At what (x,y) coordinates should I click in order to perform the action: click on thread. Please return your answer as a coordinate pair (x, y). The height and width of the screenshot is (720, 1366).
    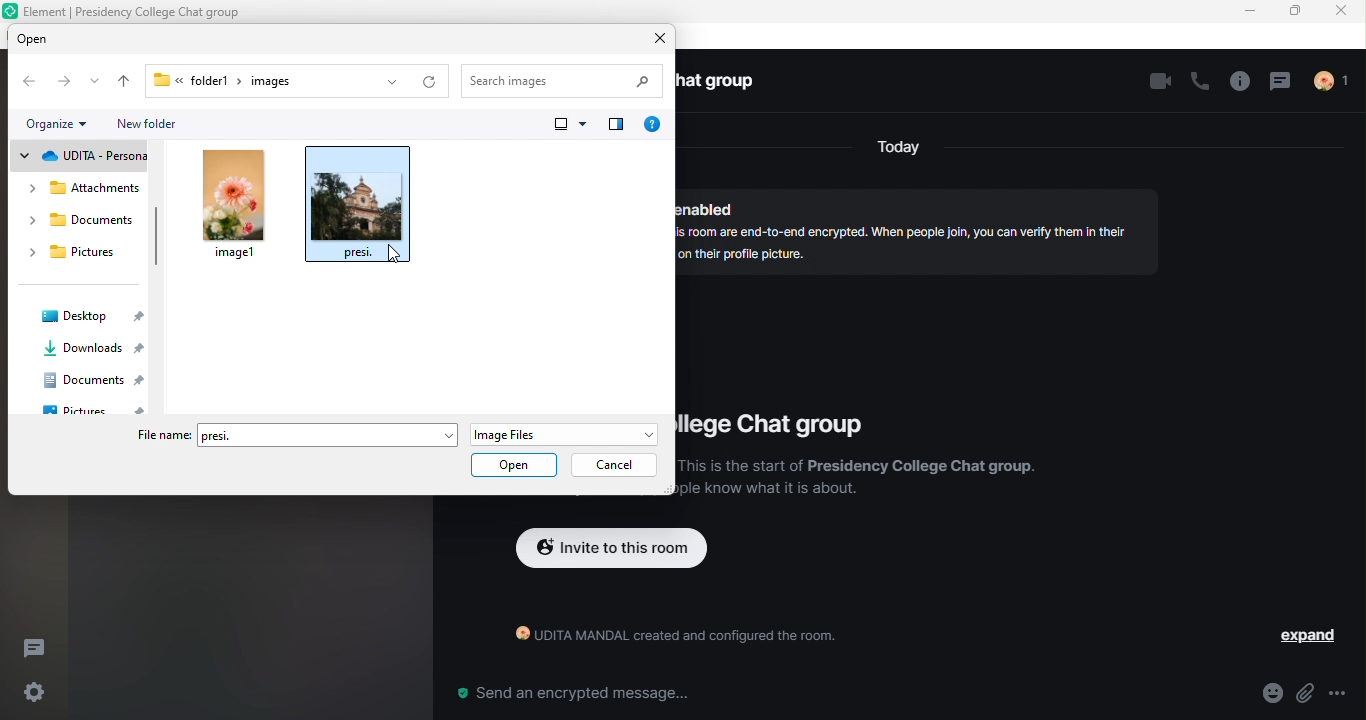
    Looking at the image, I should click on (1282, 83).